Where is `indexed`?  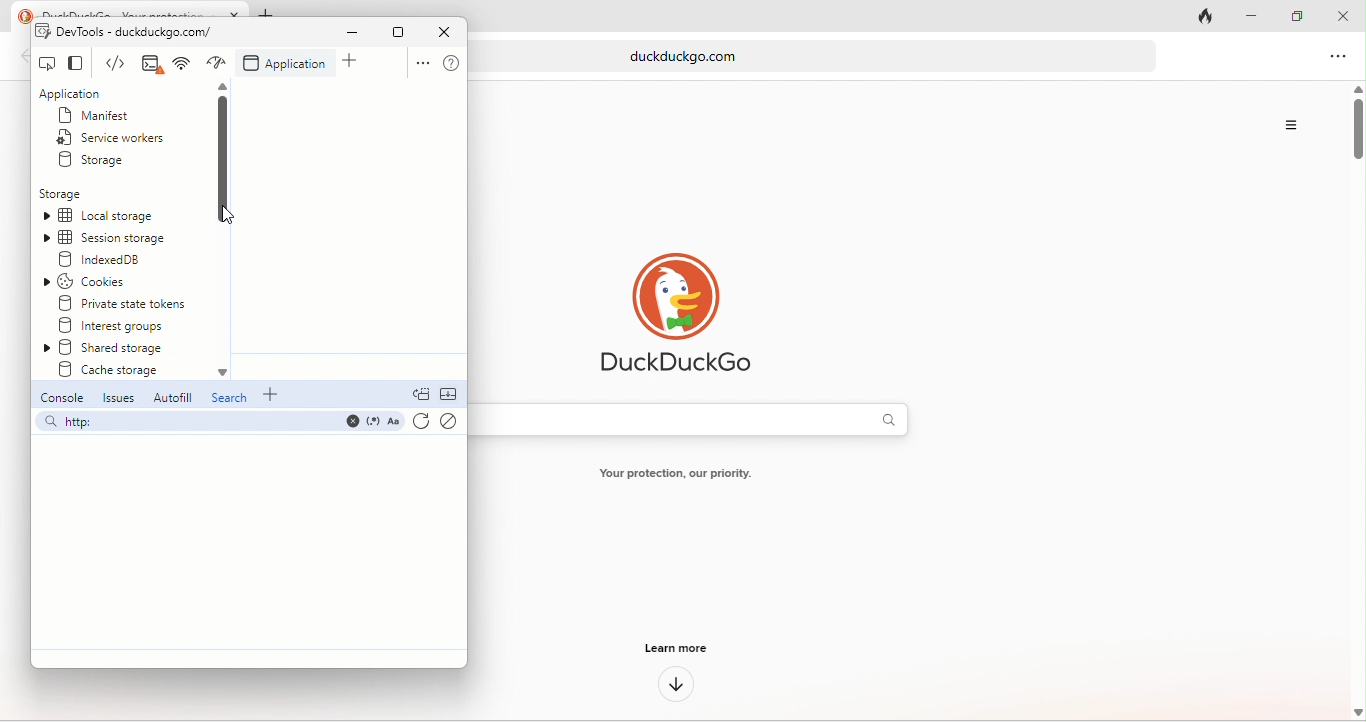
indexed is located at coordinates (130, 262).